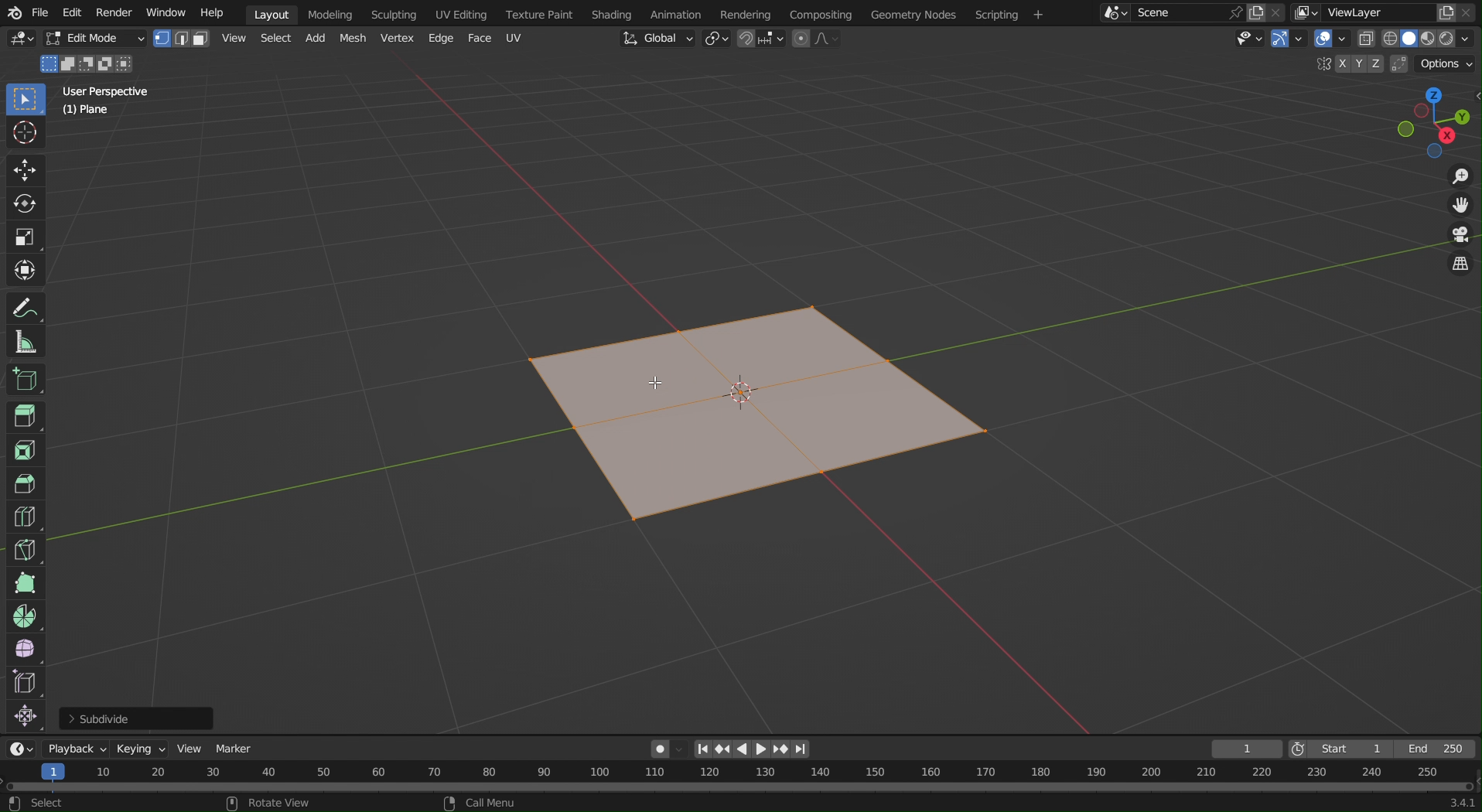 The height and width of the screenshot is (812, 1482). What do you see at coordinates (181, 39) in the screenshot?
I see `Select Mode` at bounding box center [181, 39].